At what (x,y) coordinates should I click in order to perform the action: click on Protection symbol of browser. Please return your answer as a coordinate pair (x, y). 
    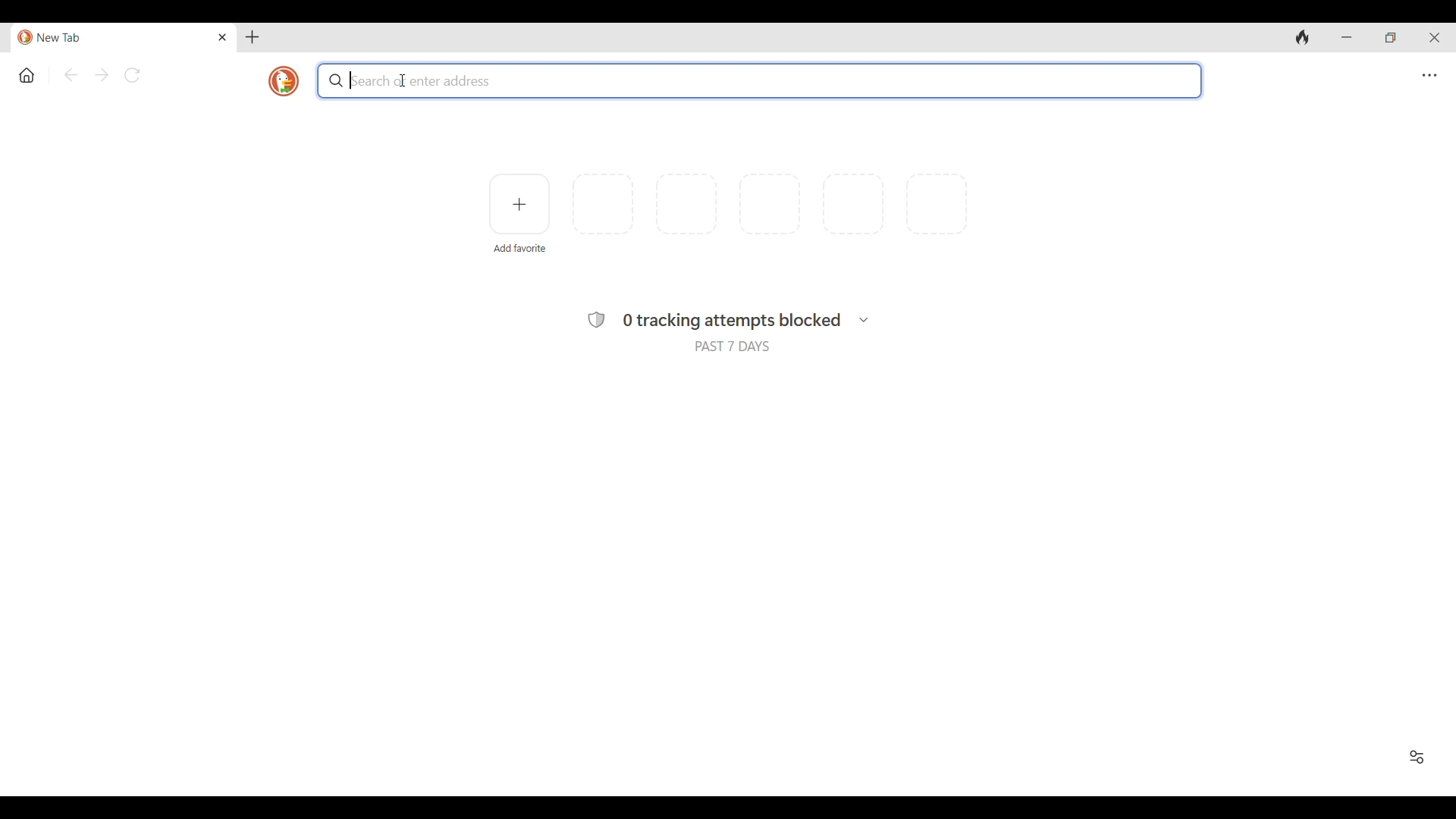
    Looking at the image, I should click on (596, 319).